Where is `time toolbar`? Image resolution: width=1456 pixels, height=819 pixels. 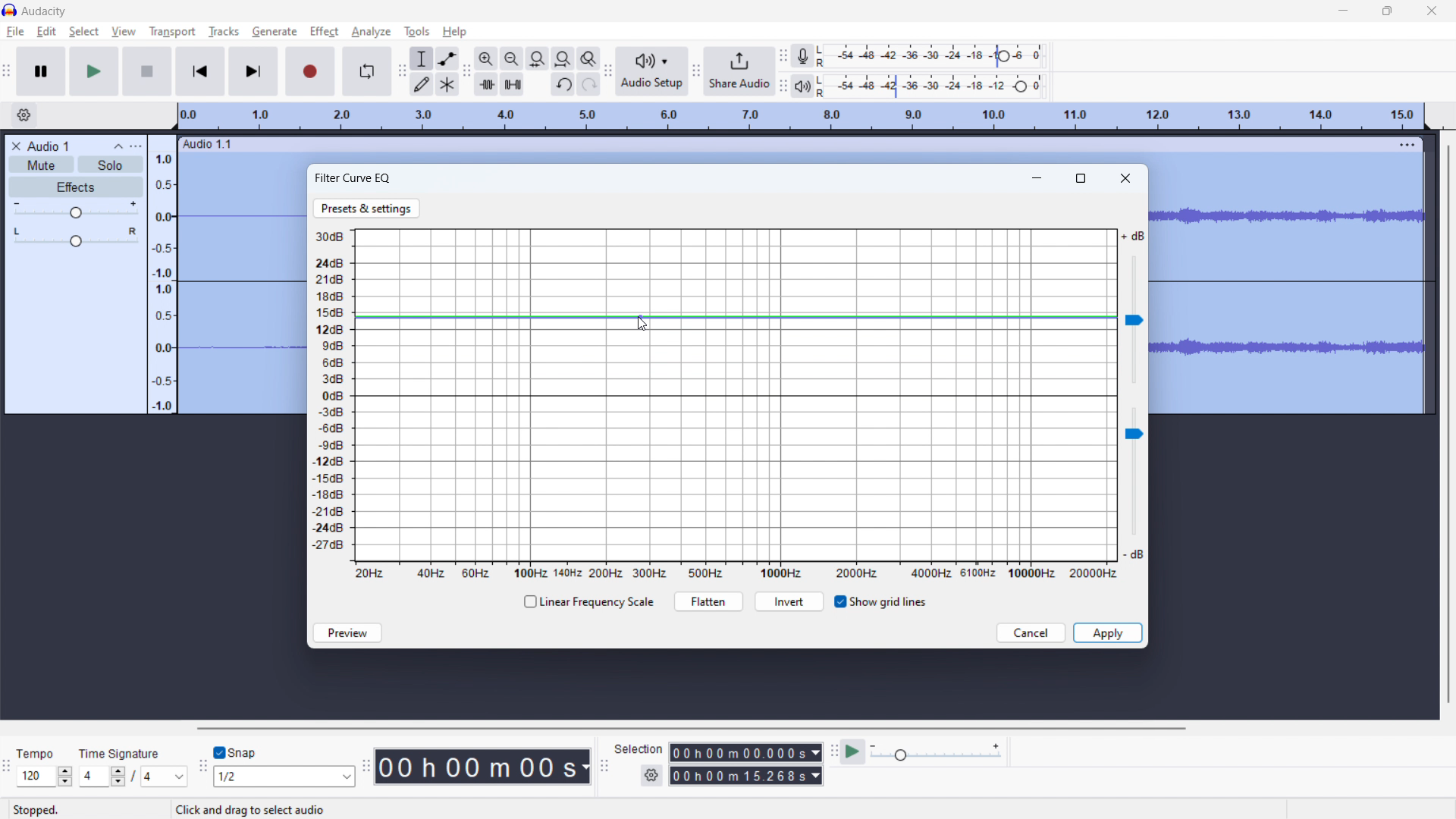 time toolbar is located at coordinates (369, 773).